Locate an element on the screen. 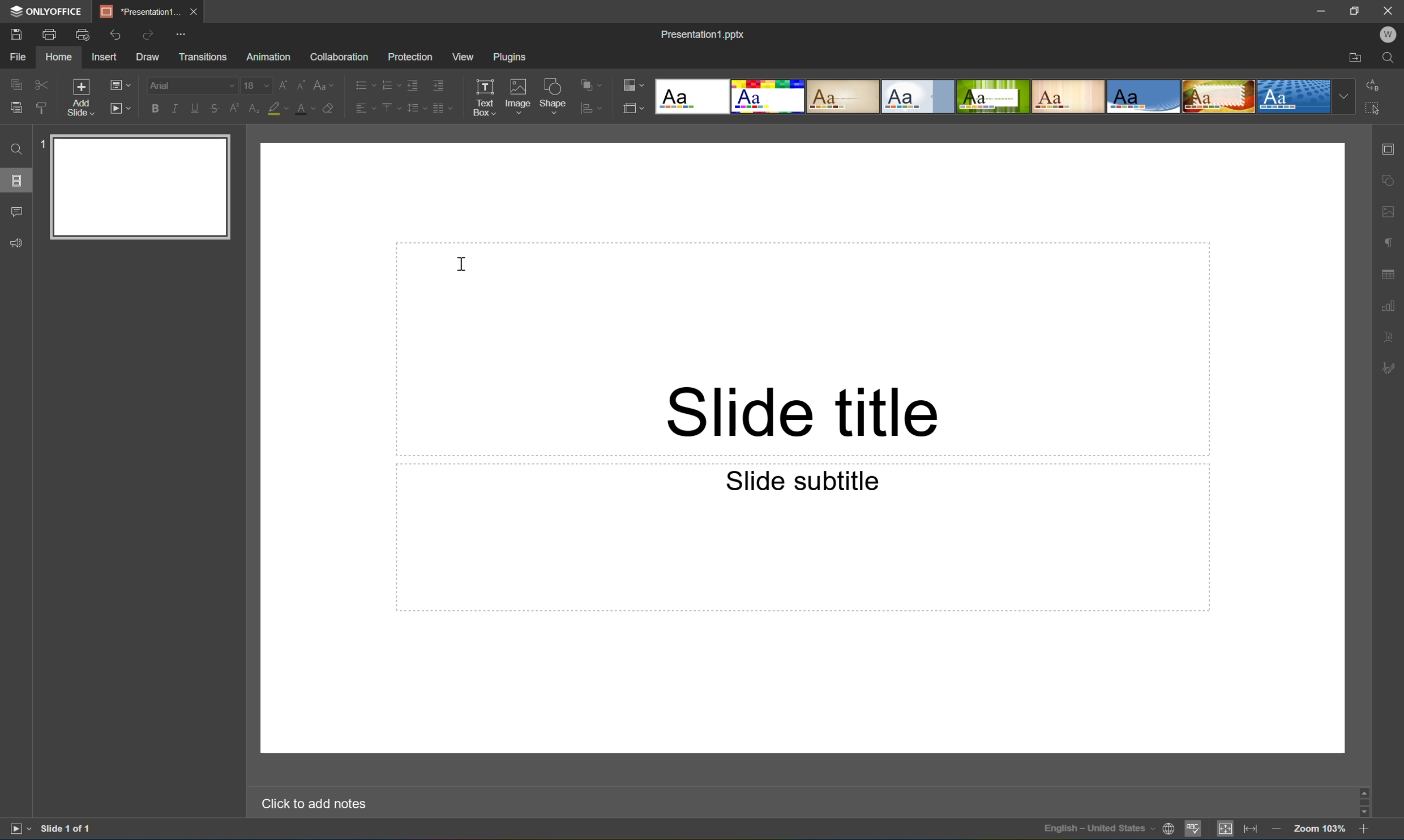  Paste is located at coordinates (16, 108).